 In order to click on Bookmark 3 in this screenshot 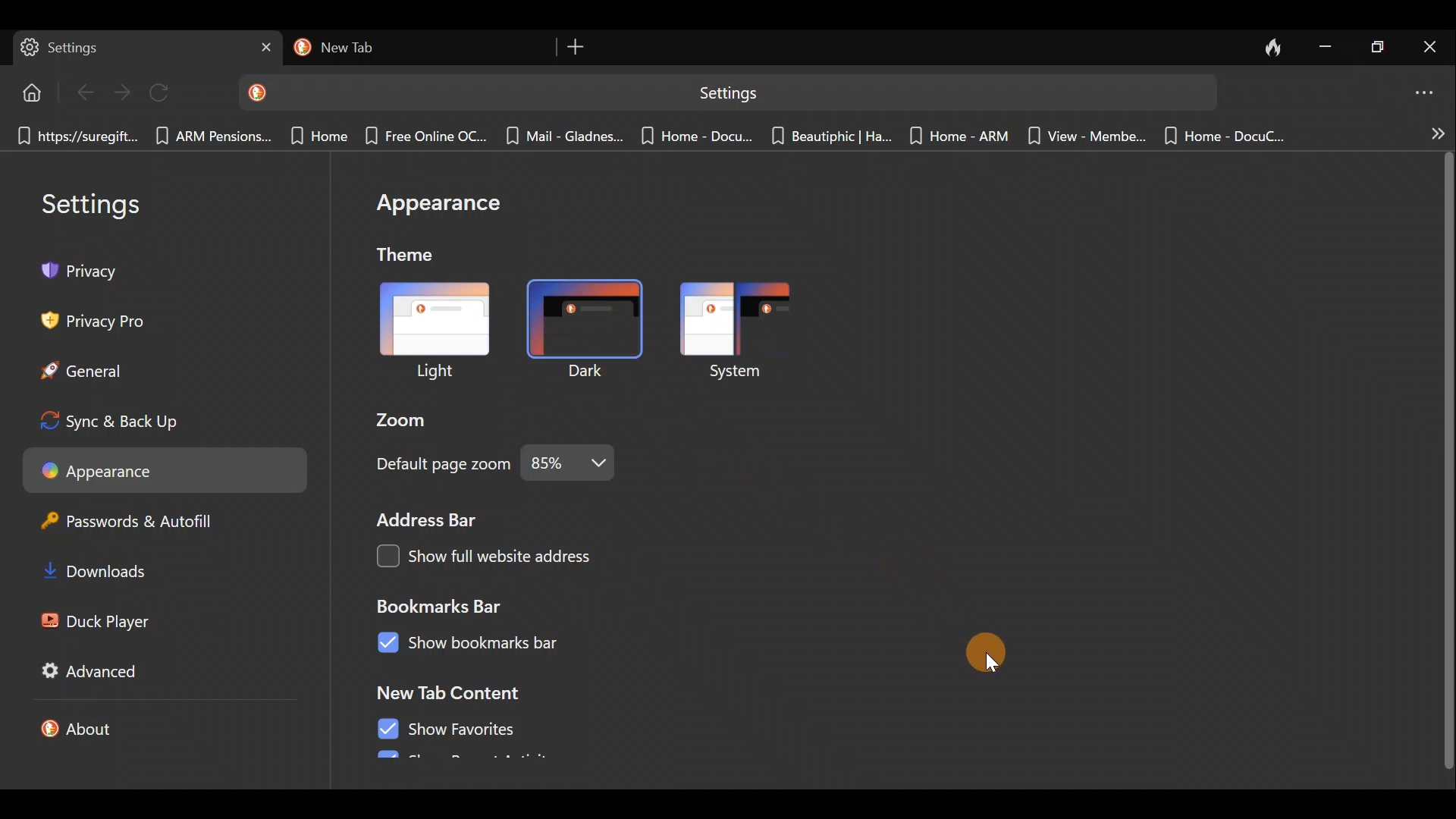, I will do `click(315, 134)`.